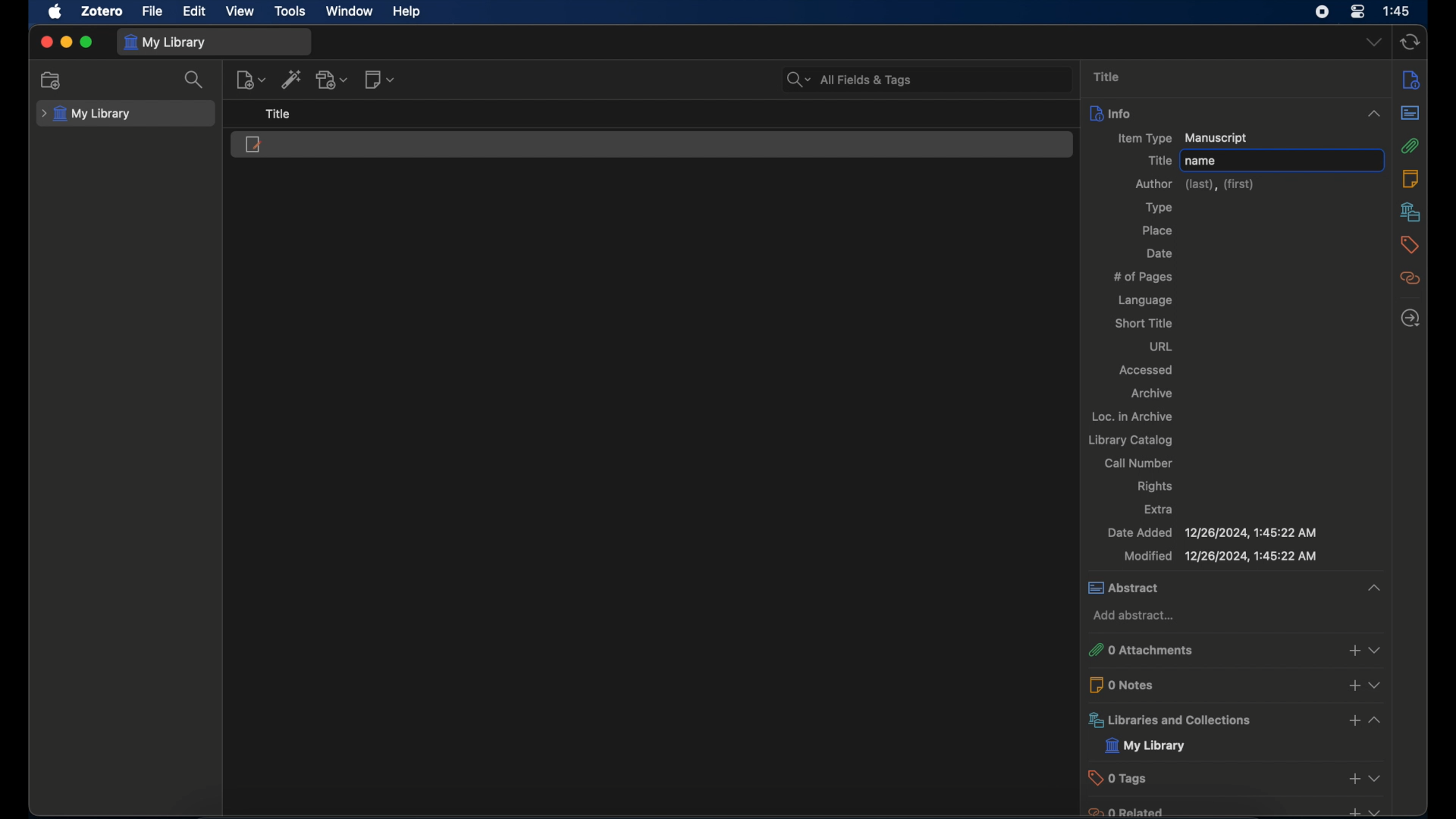  What do you see at coordinates (1411, 179) in the screenshot?
I see `notes` at bounding box center [1411, 179].